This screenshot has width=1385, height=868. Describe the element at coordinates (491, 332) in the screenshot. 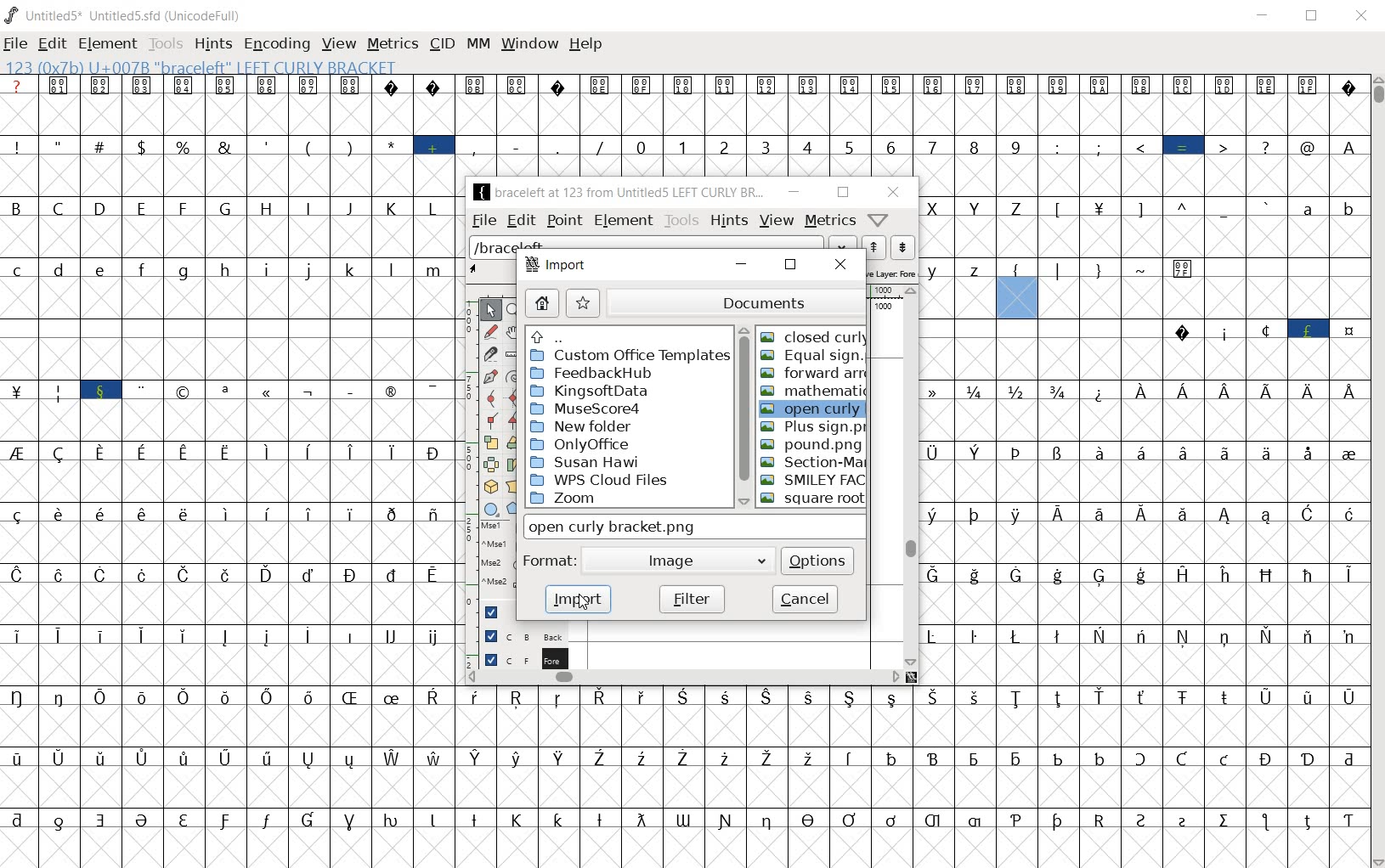

I see `draw a freehand curve` at that location.